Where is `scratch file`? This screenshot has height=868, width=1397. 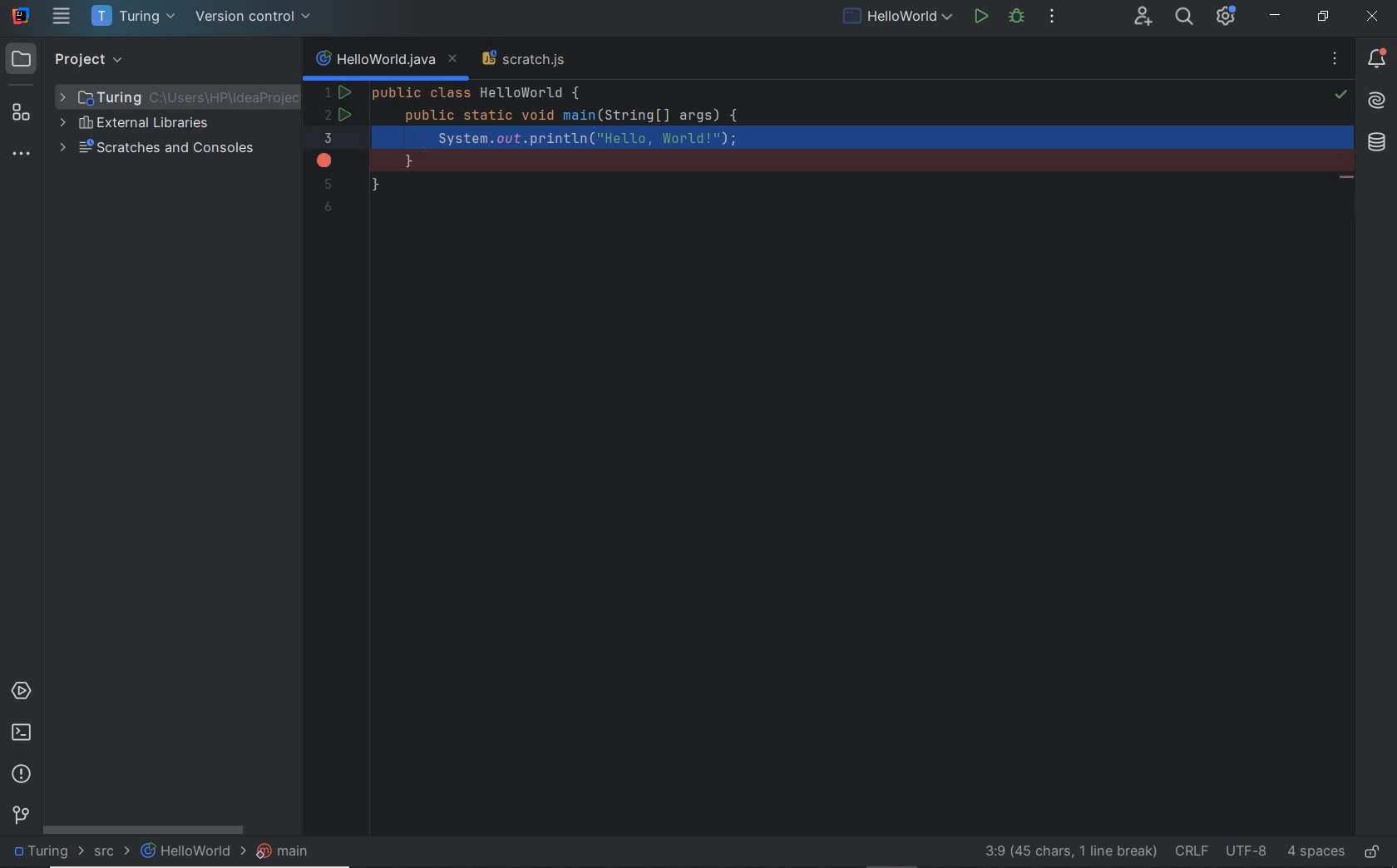 scratch file is located at coordinates (524, 60).